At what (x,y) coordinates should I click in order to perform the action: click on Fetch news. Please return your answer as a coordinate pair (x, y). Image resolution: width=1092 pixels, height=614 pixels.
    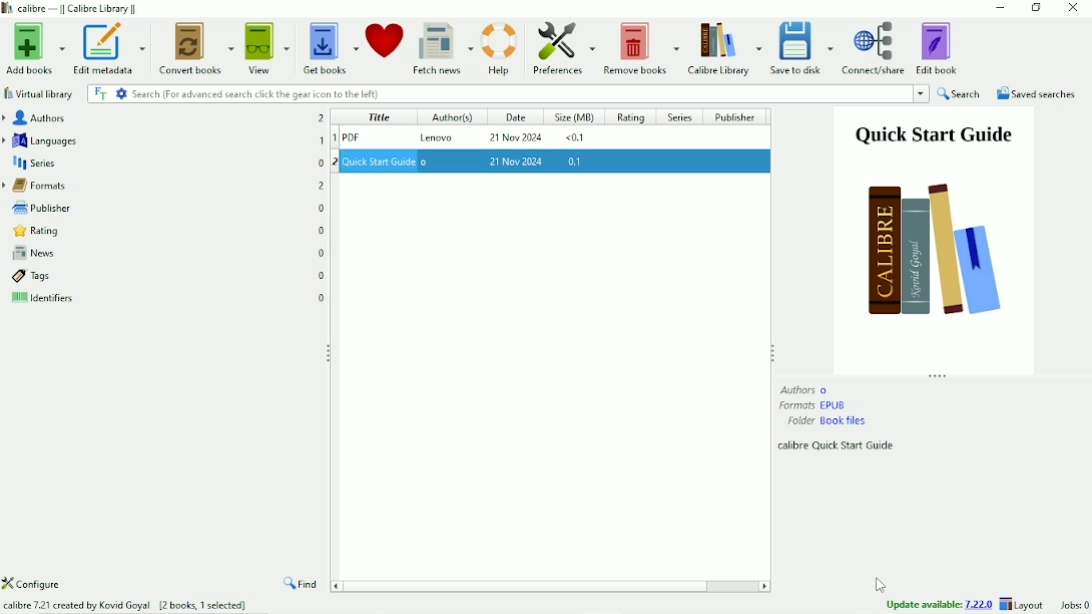
    Looking at the image, I should click on (442, 47).